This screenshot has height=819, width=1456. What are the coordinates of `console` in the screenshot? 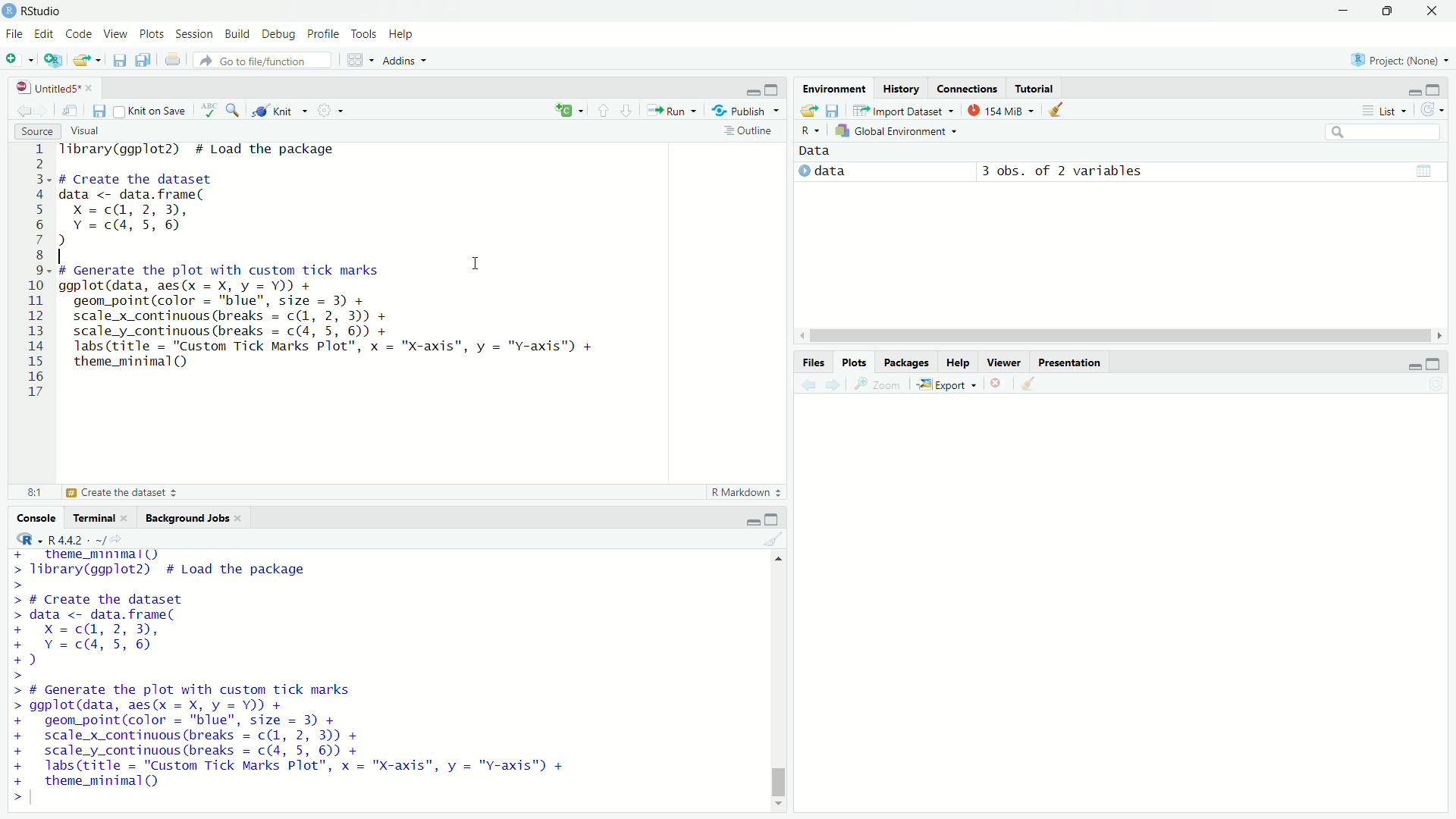 It's located at (32, 517).